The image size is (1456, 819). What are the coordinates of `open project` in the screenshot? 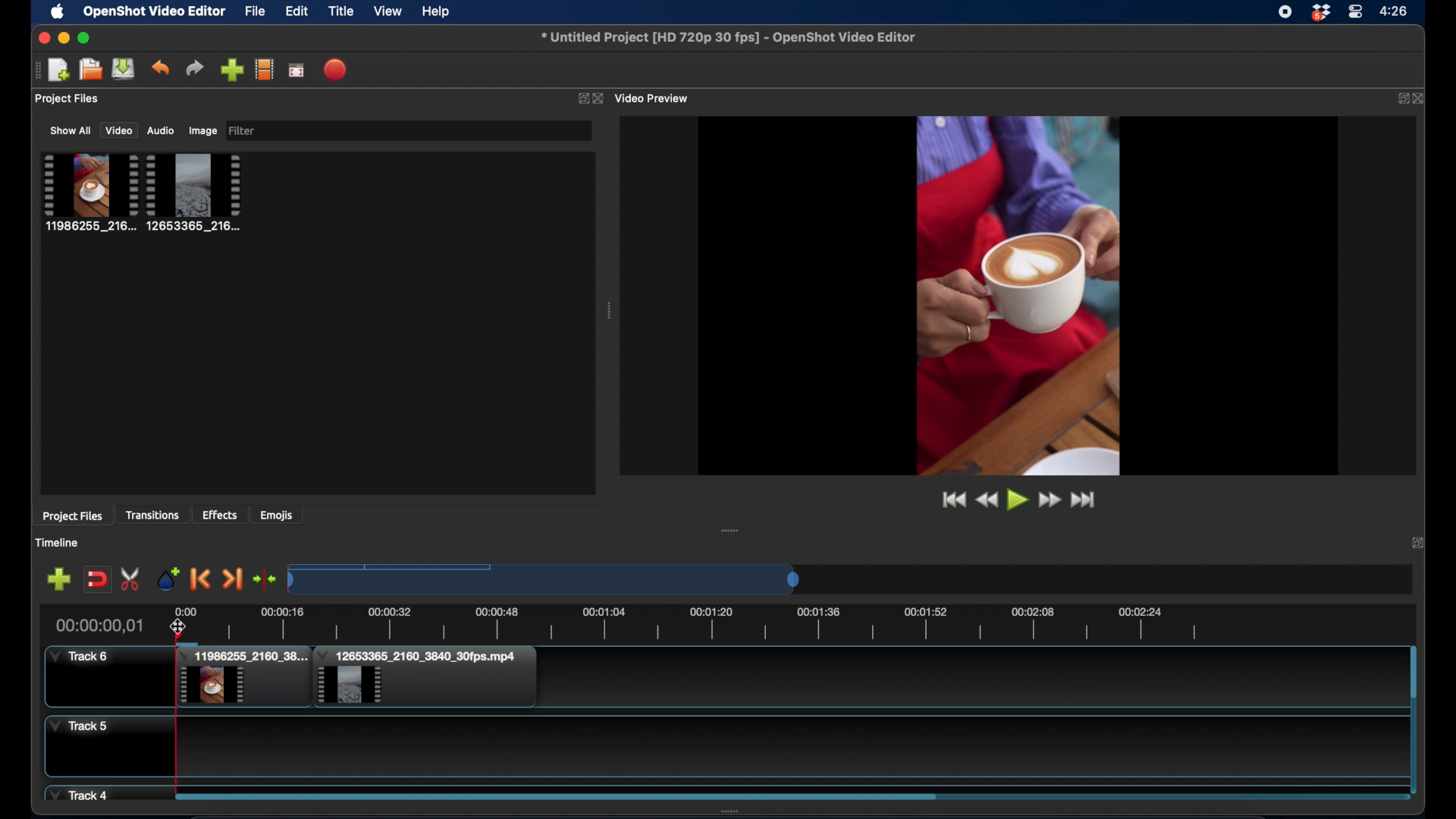 It's located at (89, 70).